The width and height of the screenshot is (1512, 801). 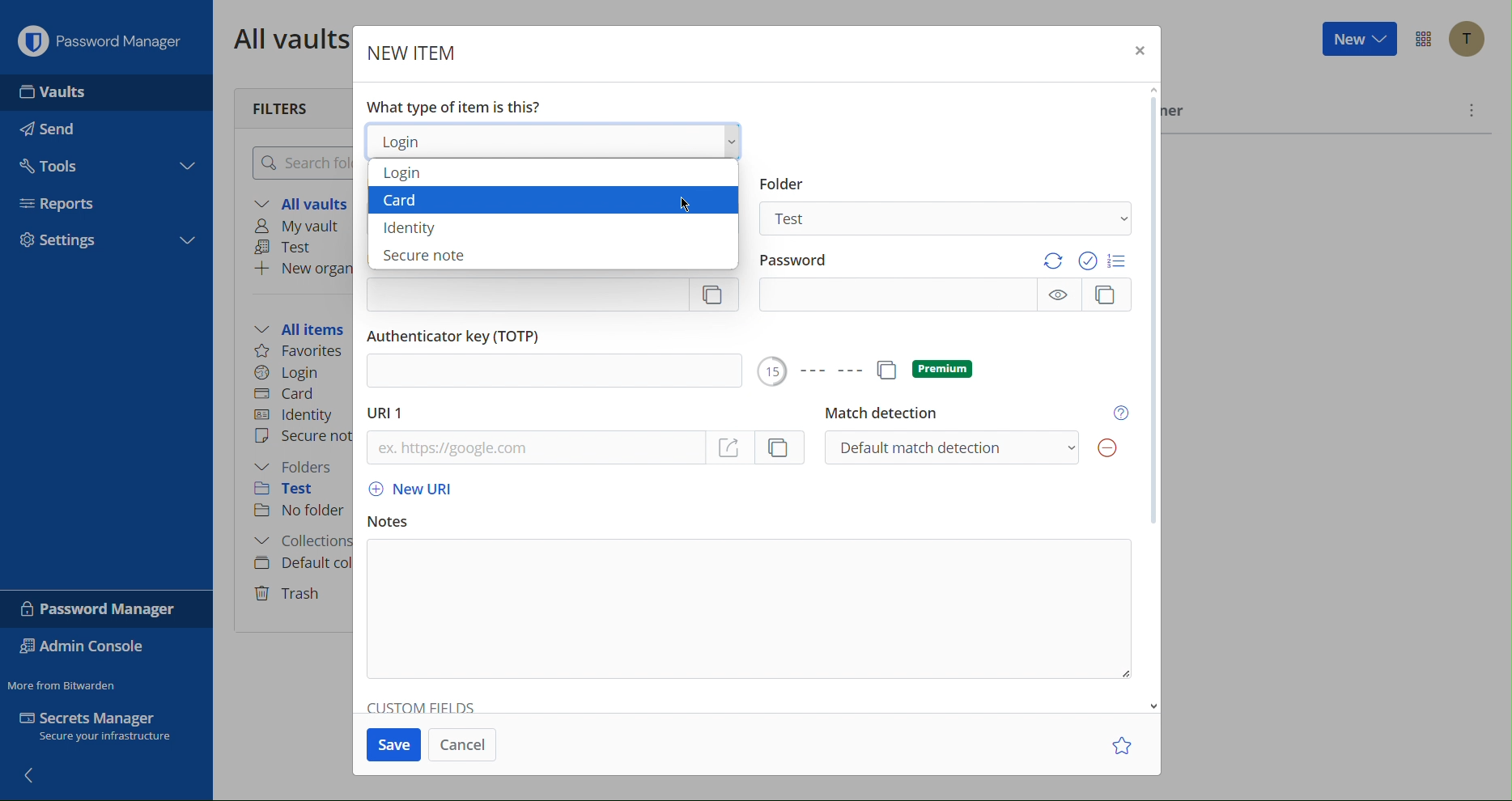 What do you see at coordinates (426, 256) in the screenshot?
I see `Secure note` at bounding box center [426, 256].